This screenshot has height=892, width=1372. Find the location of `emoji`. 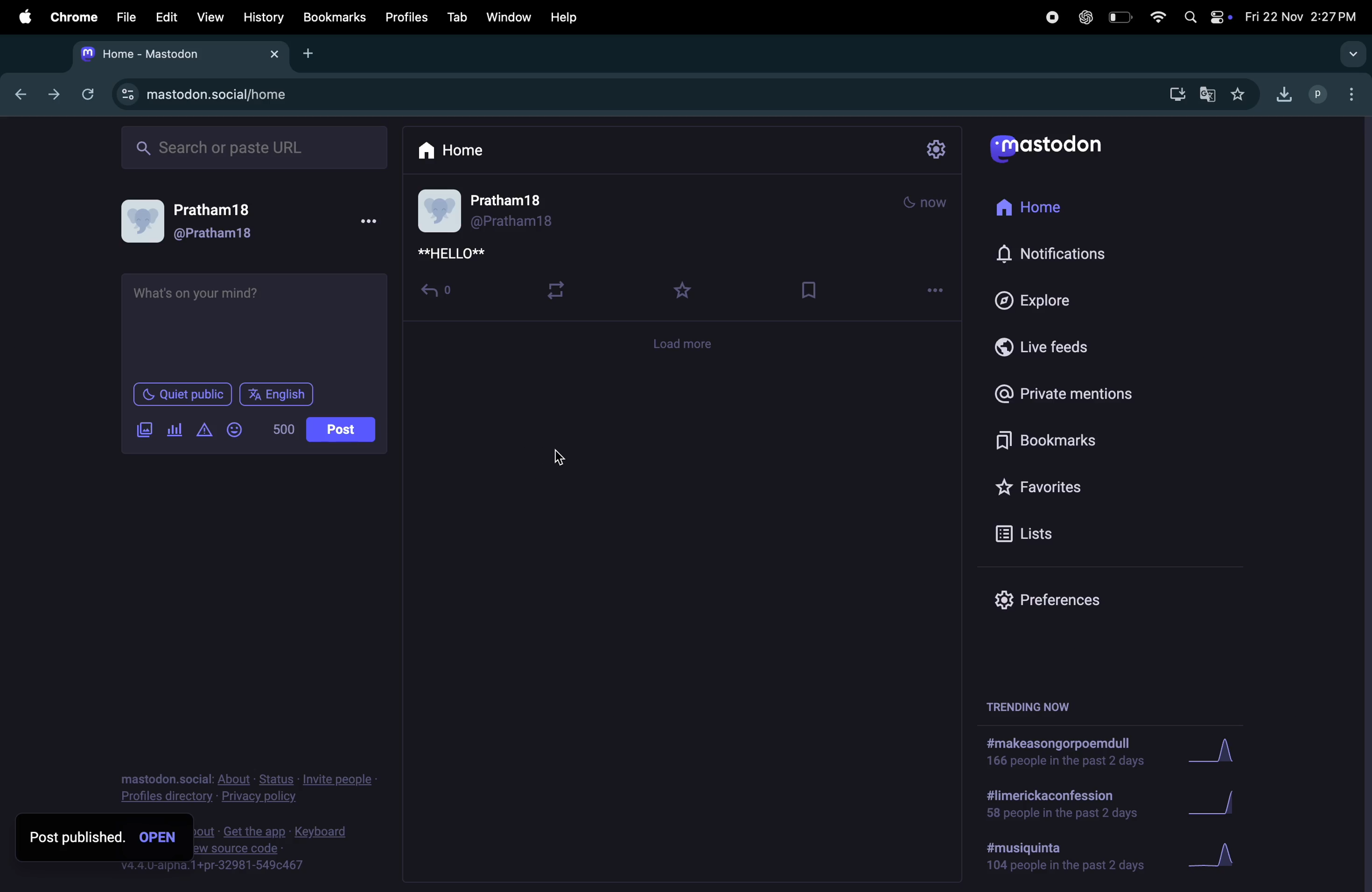

emoji is located at coordinates (235, 430).